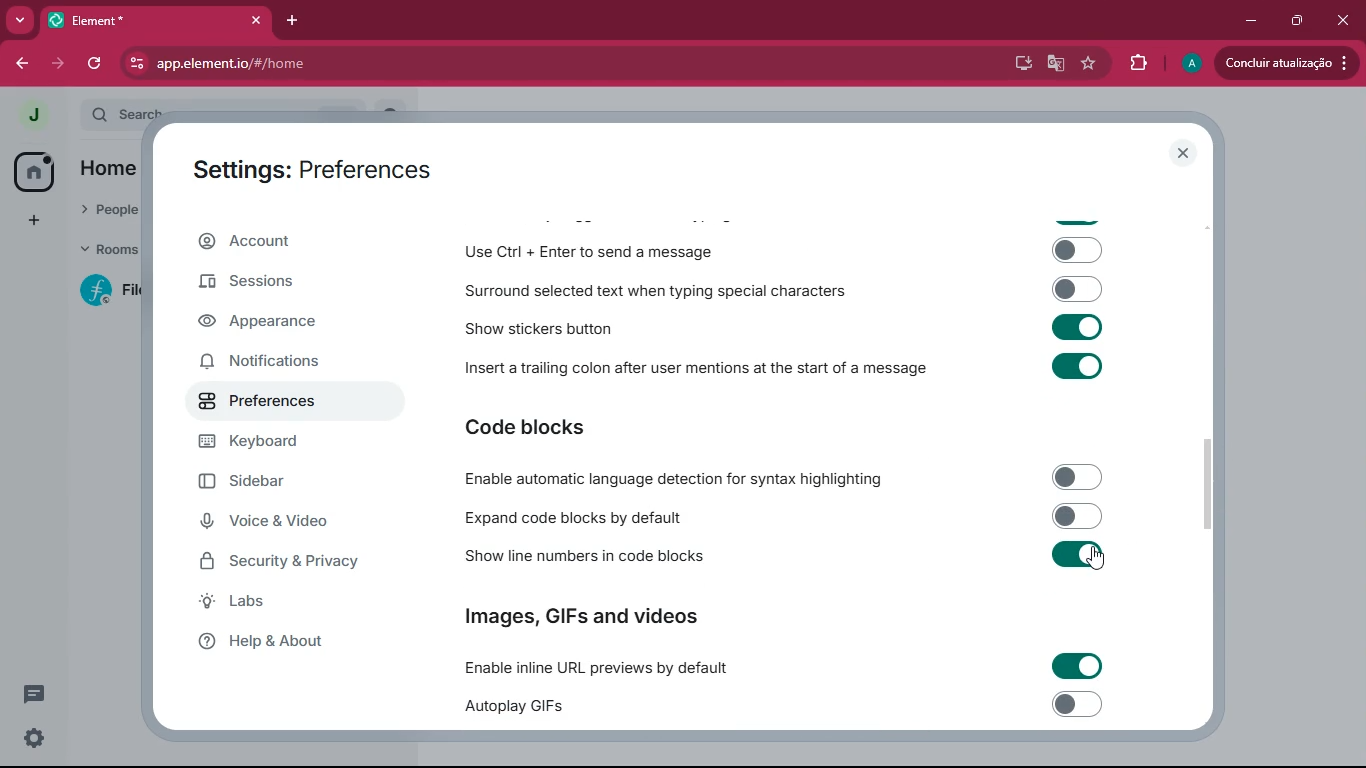 This screenshot has height=768, width=1366. Describe the element at coordinates (27, 116) in the screenshot. I see `profile picture` at that location.